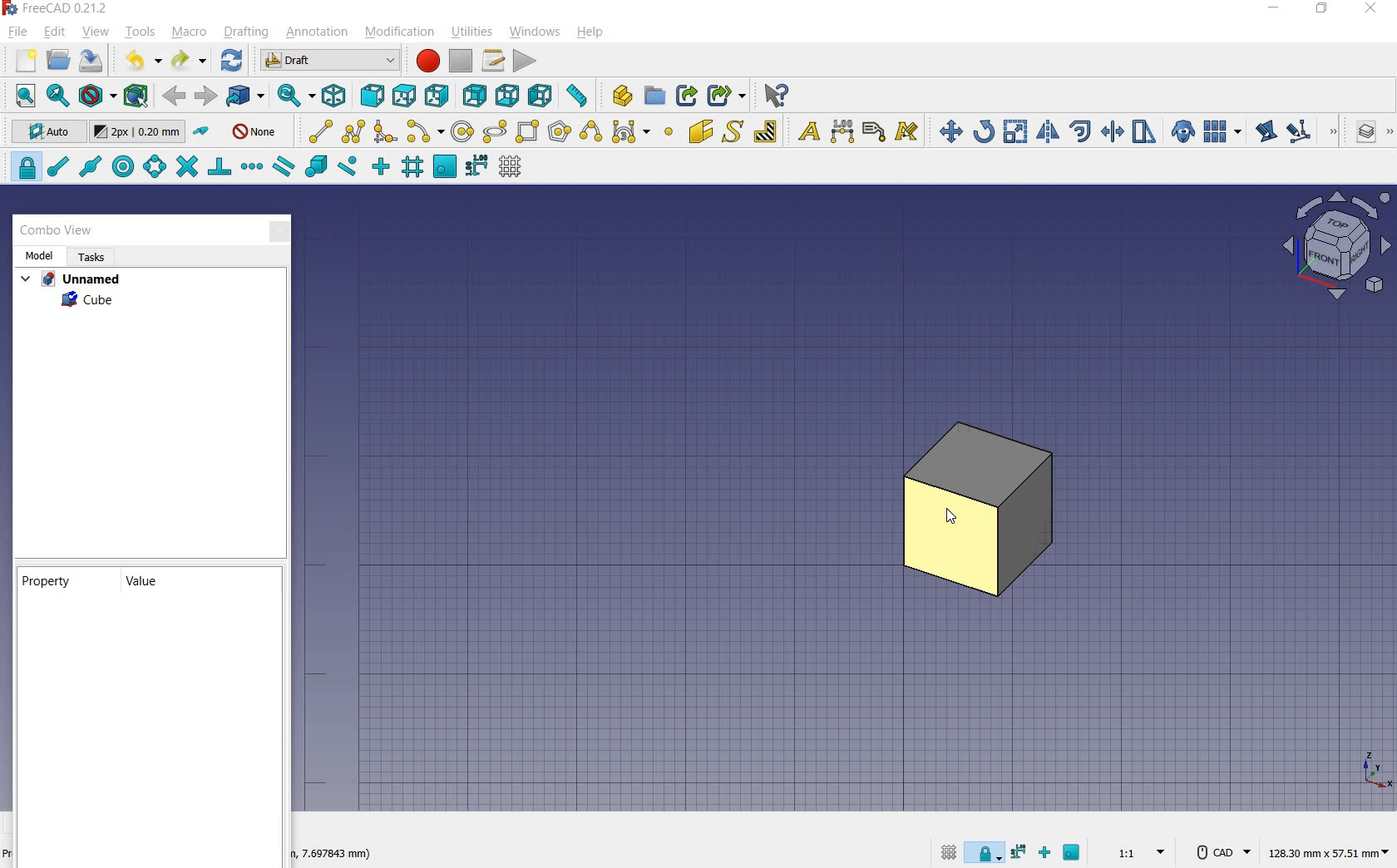 This screenshot has height=868, width=1397. What do you see at coordinates (1081, 131) in the screenshot?
I see `offset` at bounding box center [1081, 131].